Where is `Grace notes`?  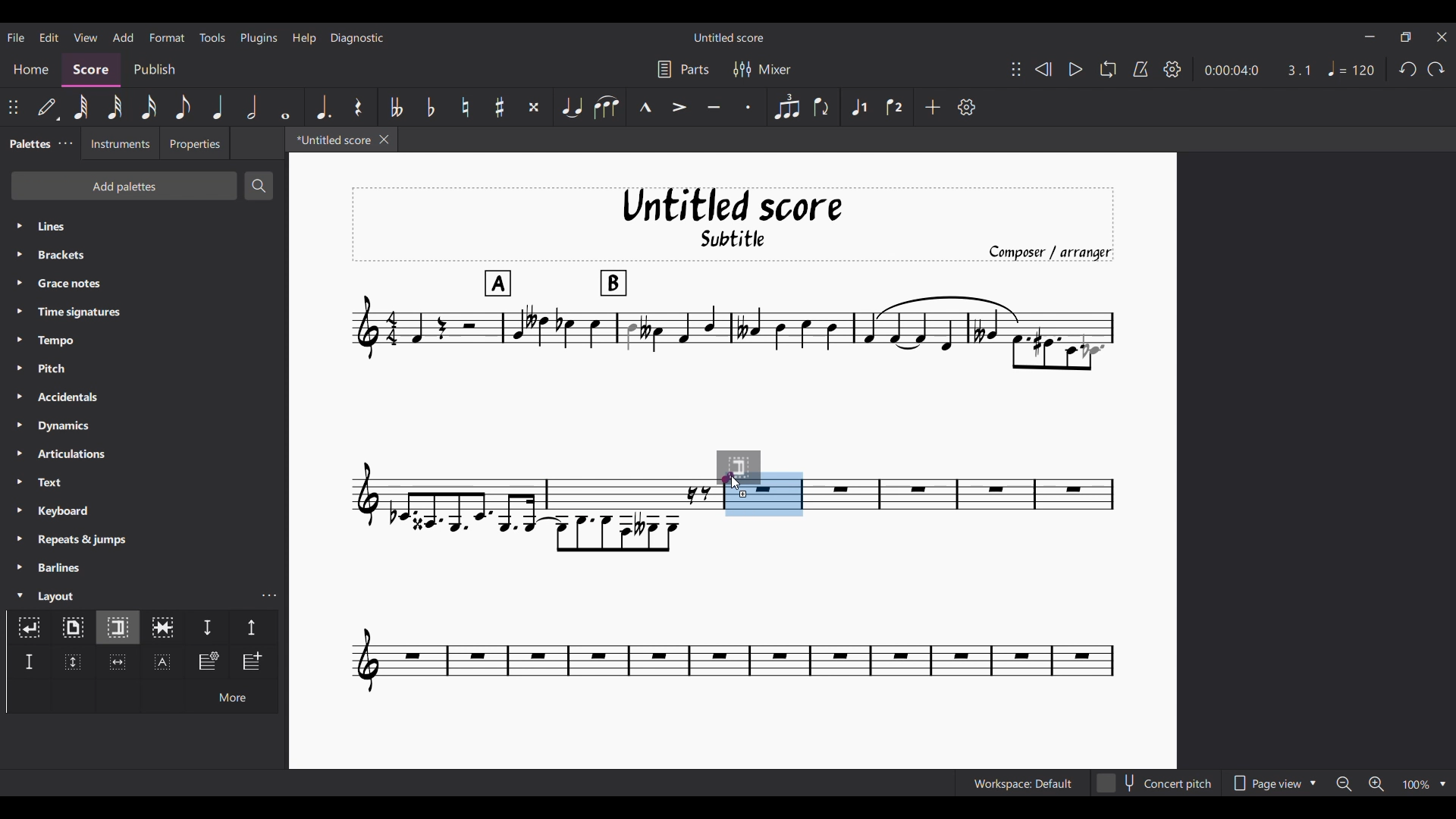
Grace notes is located at coordinates (144, 283).